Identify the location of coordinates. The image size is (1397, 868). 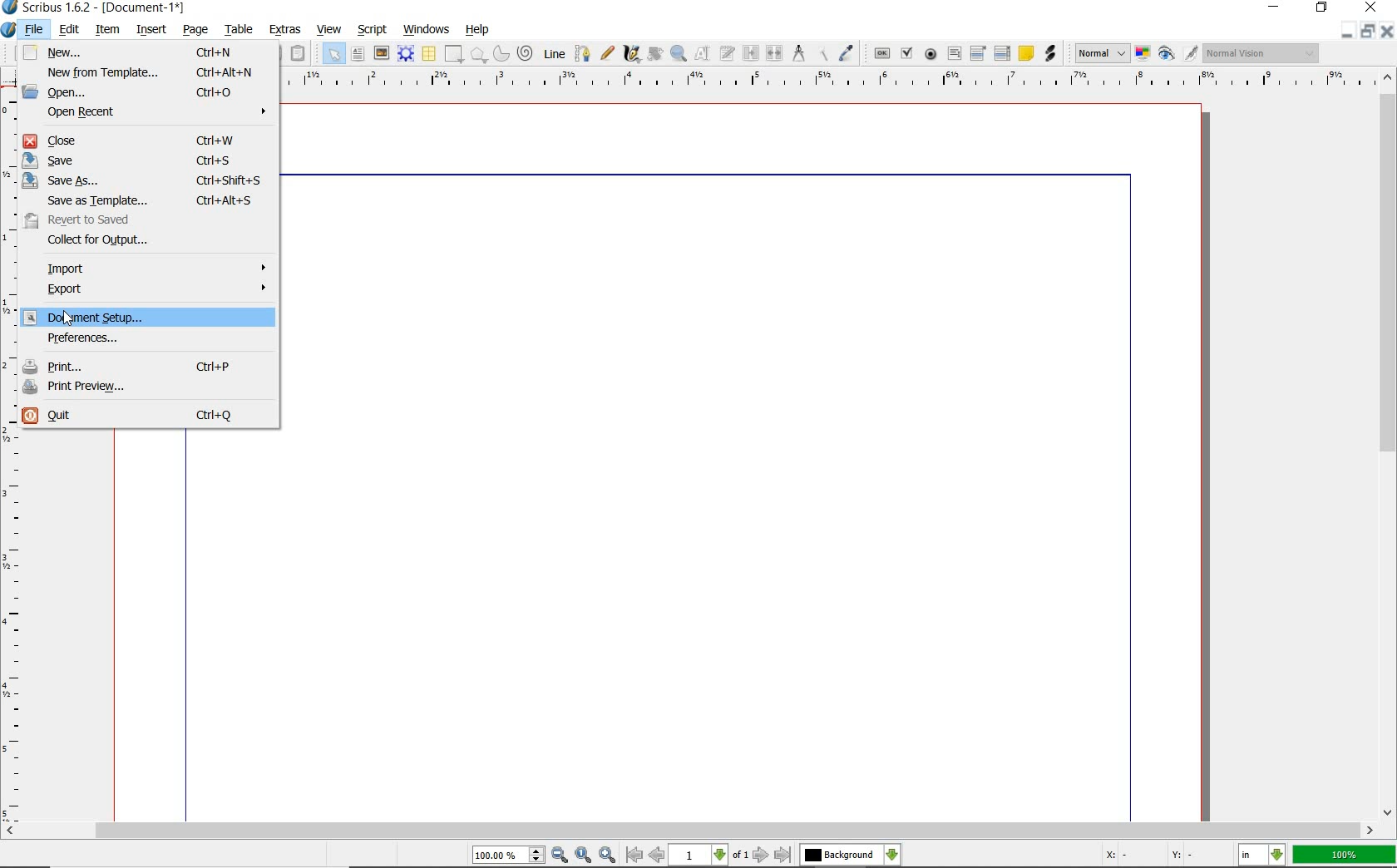
(1147, 856).